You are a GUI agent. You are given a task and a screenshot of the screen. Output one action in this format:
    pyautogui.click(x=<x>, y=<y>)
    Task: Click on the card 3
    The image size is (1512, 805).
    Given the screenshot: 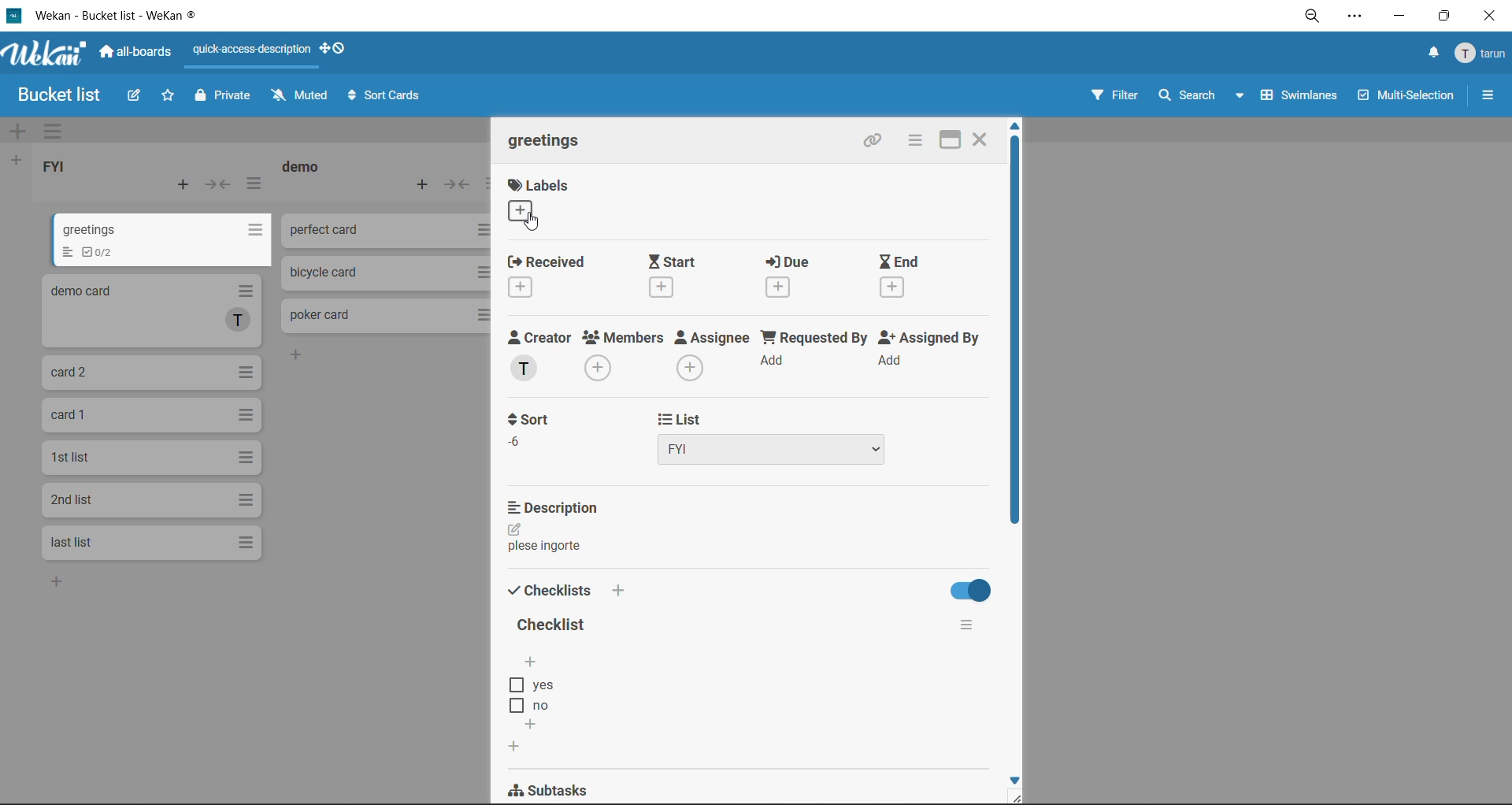 What is the action you would take?
    pyautogui.click(x=154, y=372)
    